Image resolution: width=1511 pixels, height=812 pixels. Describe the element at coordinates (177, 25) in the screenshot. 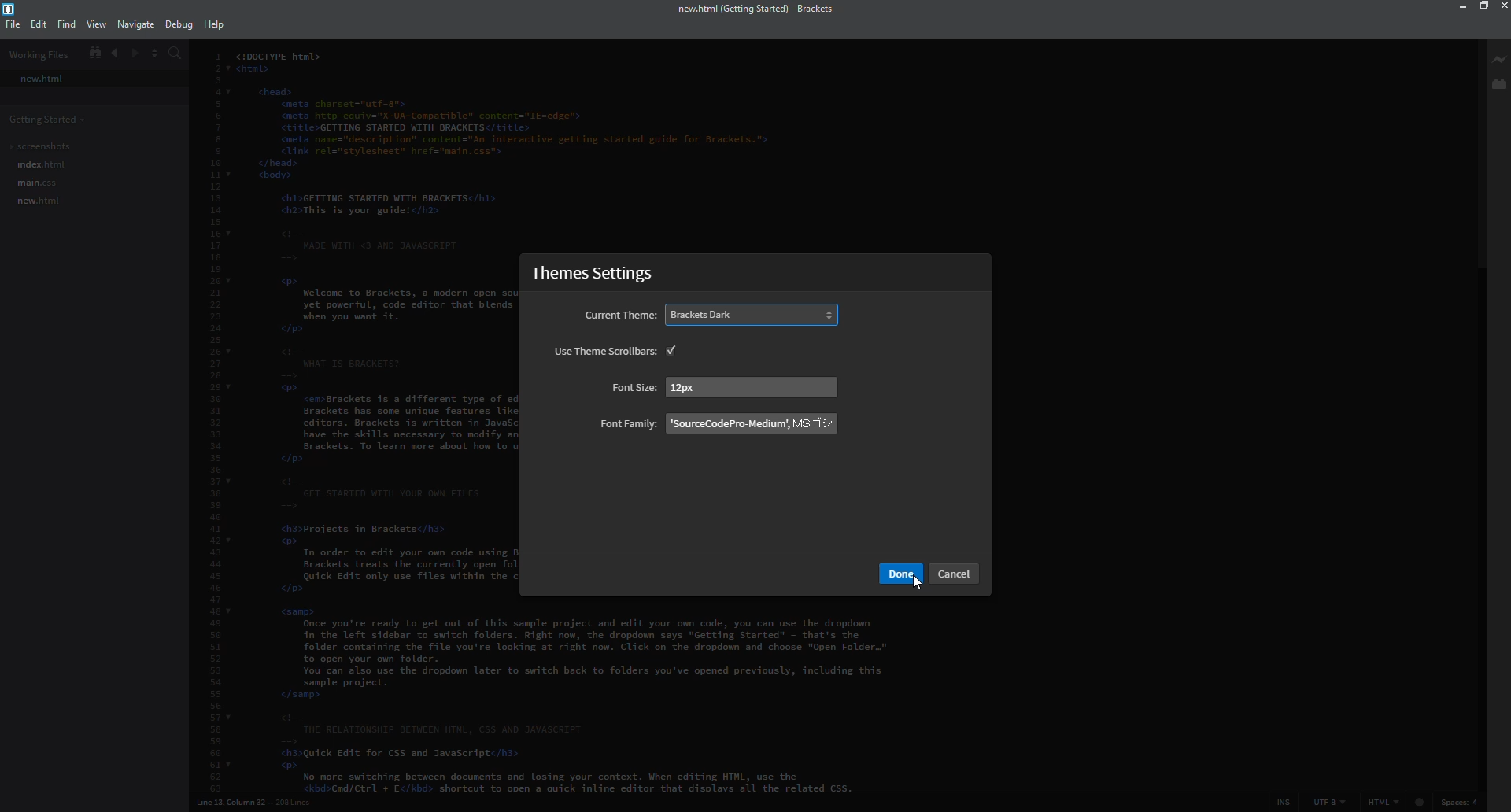

I see `debug` at that location.